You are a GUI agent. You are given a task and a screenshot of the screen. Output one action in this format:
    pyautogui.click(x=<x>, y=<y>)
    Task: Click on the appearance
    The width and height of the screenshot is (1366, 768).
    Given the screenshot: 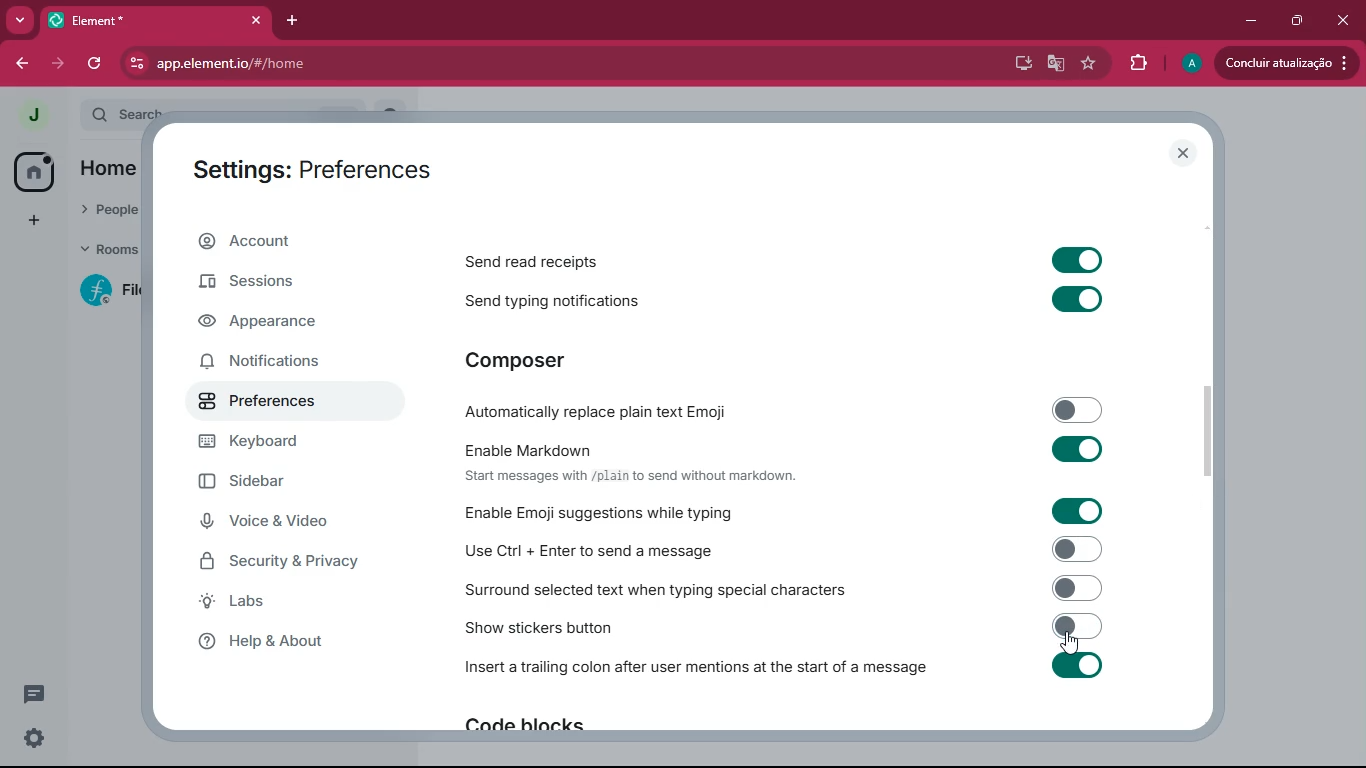 What is the action you would take?
    pyautogui.click(x=283, y=324)
    